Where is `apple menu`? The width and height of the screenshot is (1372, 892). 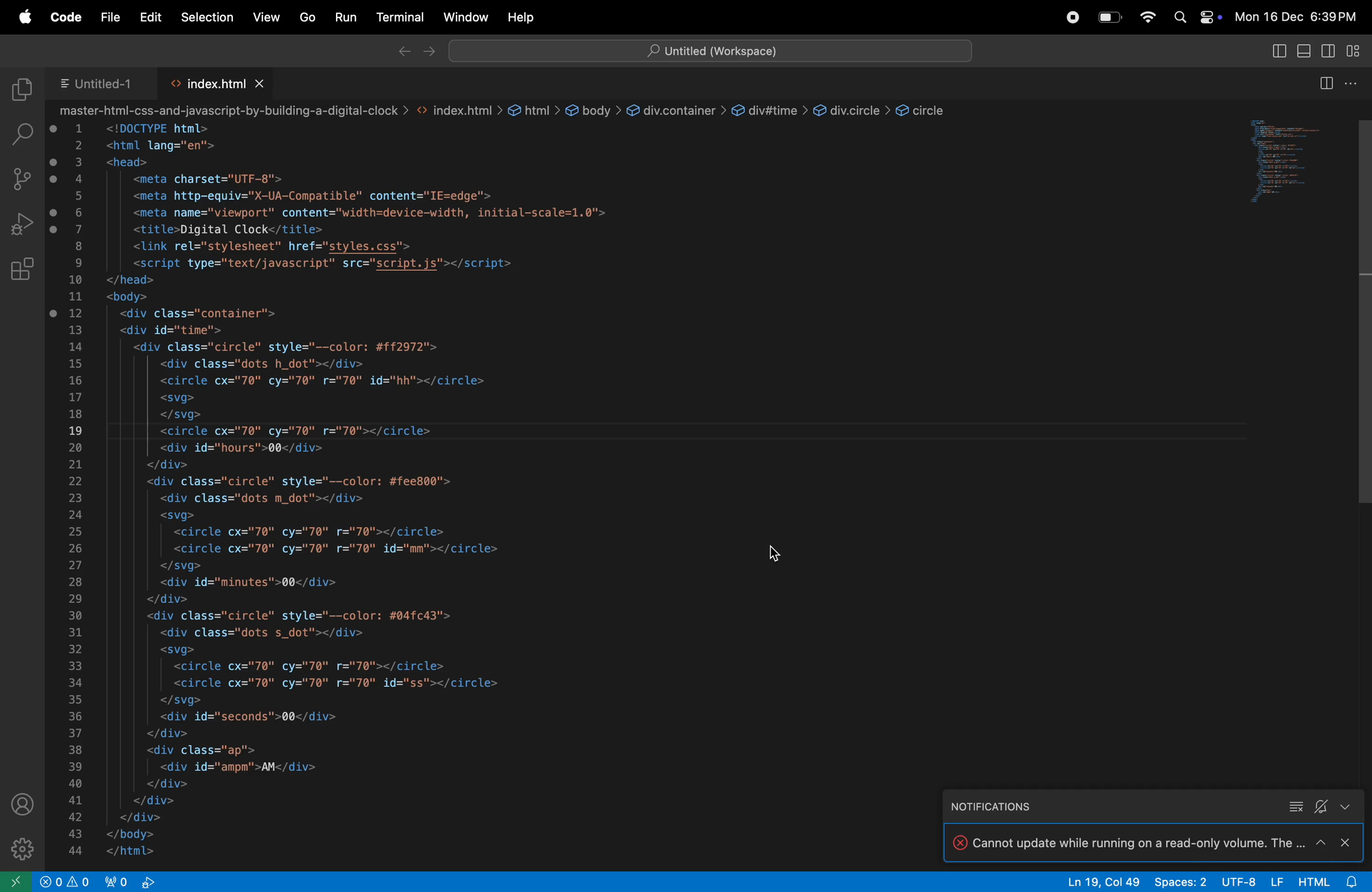
apple menu is located at coordinates (24, 18).